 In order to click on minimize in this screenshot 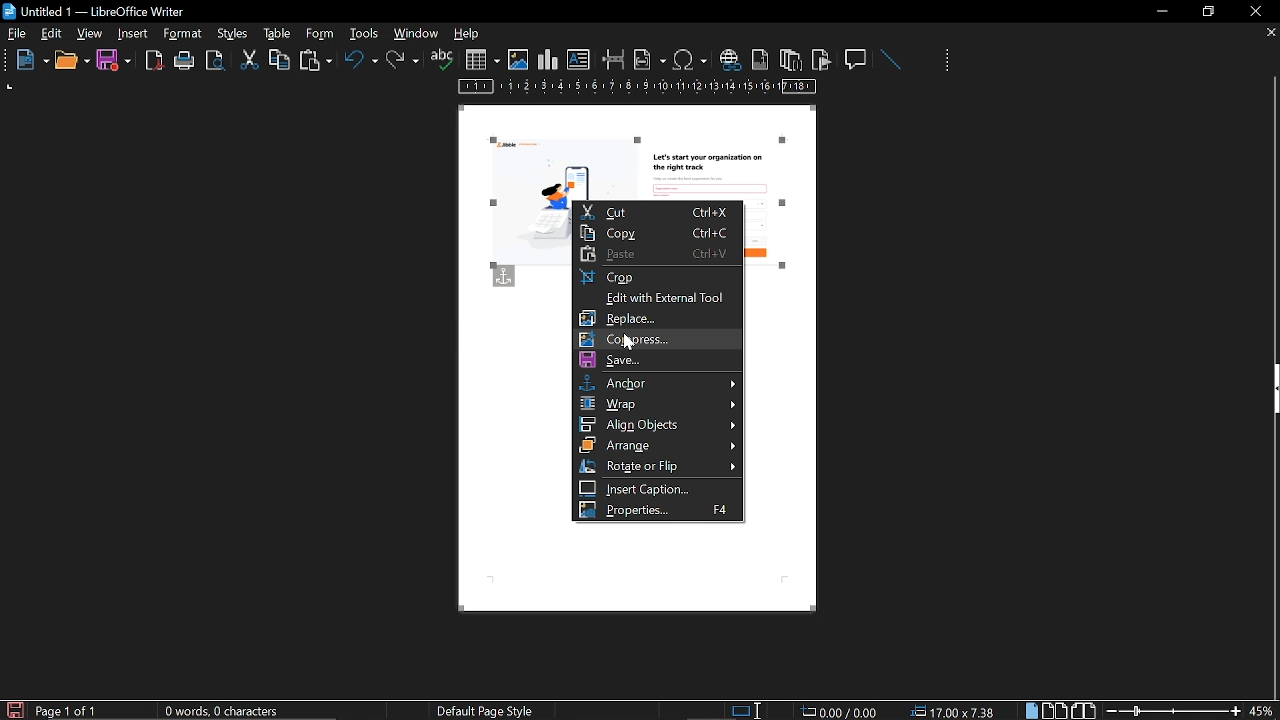, I will do `click(1162, 11)`.